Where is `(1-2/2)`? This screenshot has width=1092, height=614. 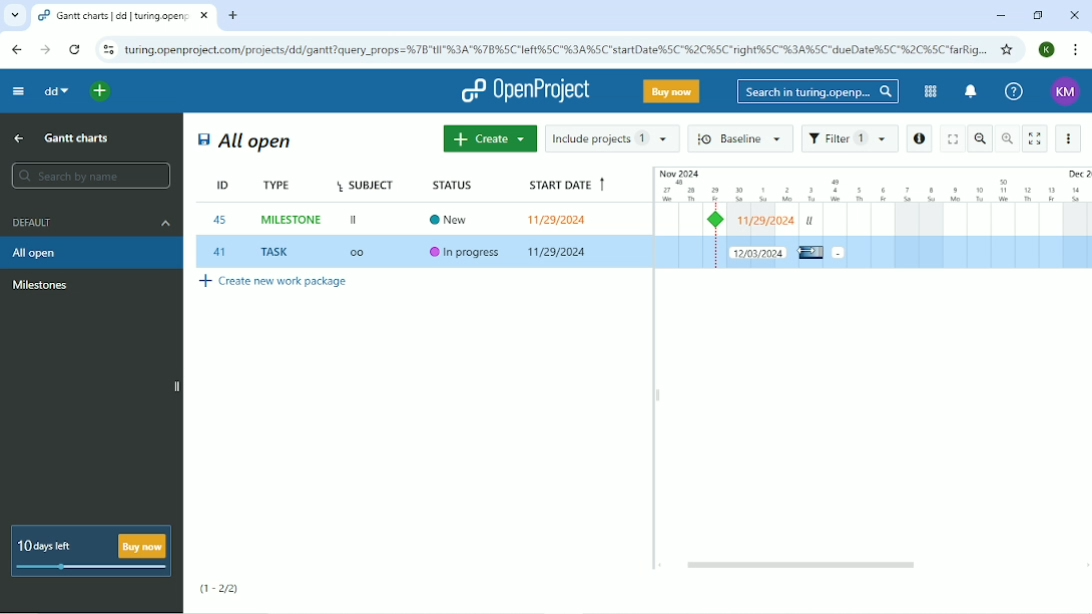
(1-2/2) is located at coordinates (219, 589).